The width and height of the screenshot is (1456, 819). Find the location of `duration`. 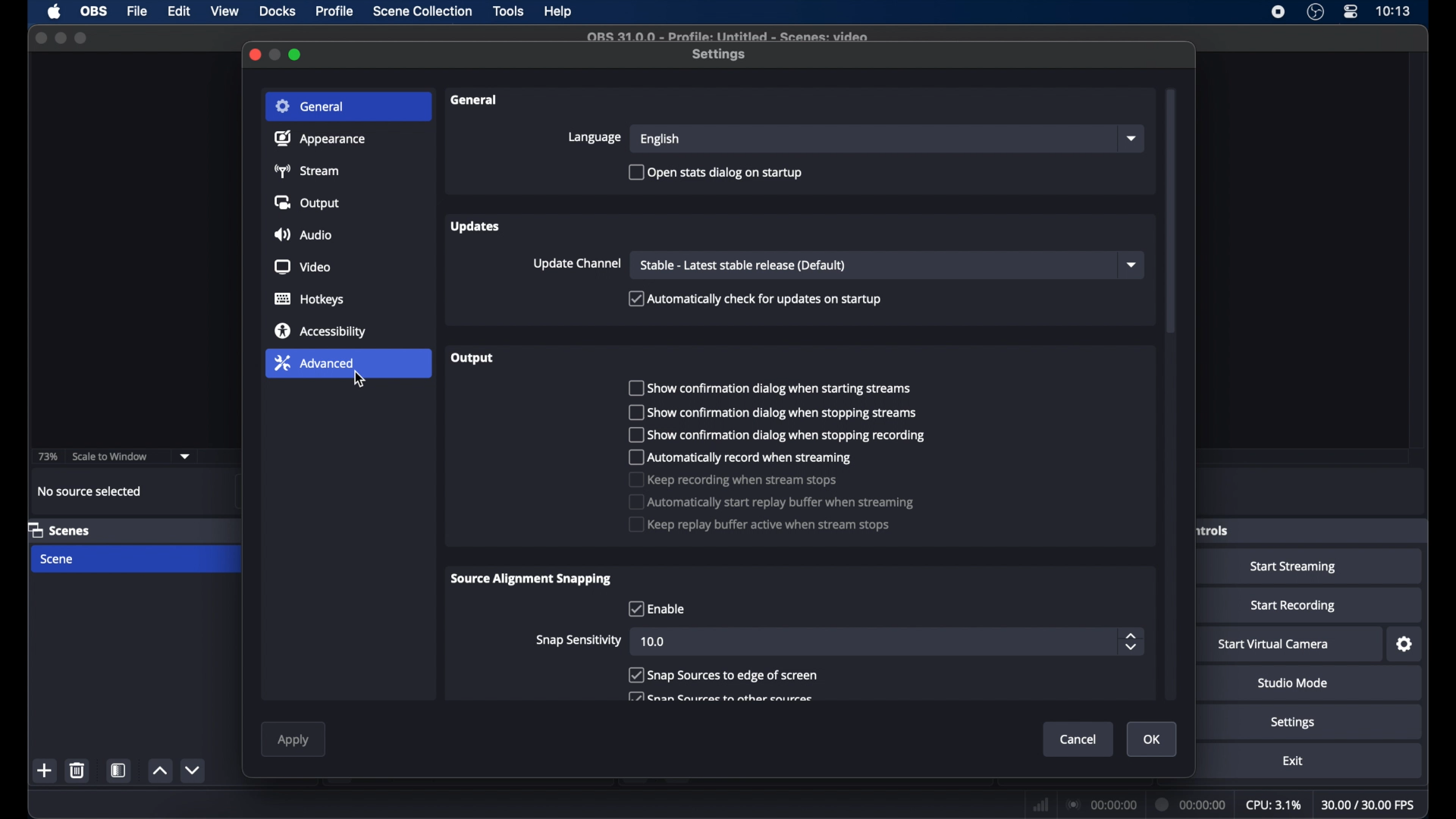

duration is located at coordinates (1191, 803).